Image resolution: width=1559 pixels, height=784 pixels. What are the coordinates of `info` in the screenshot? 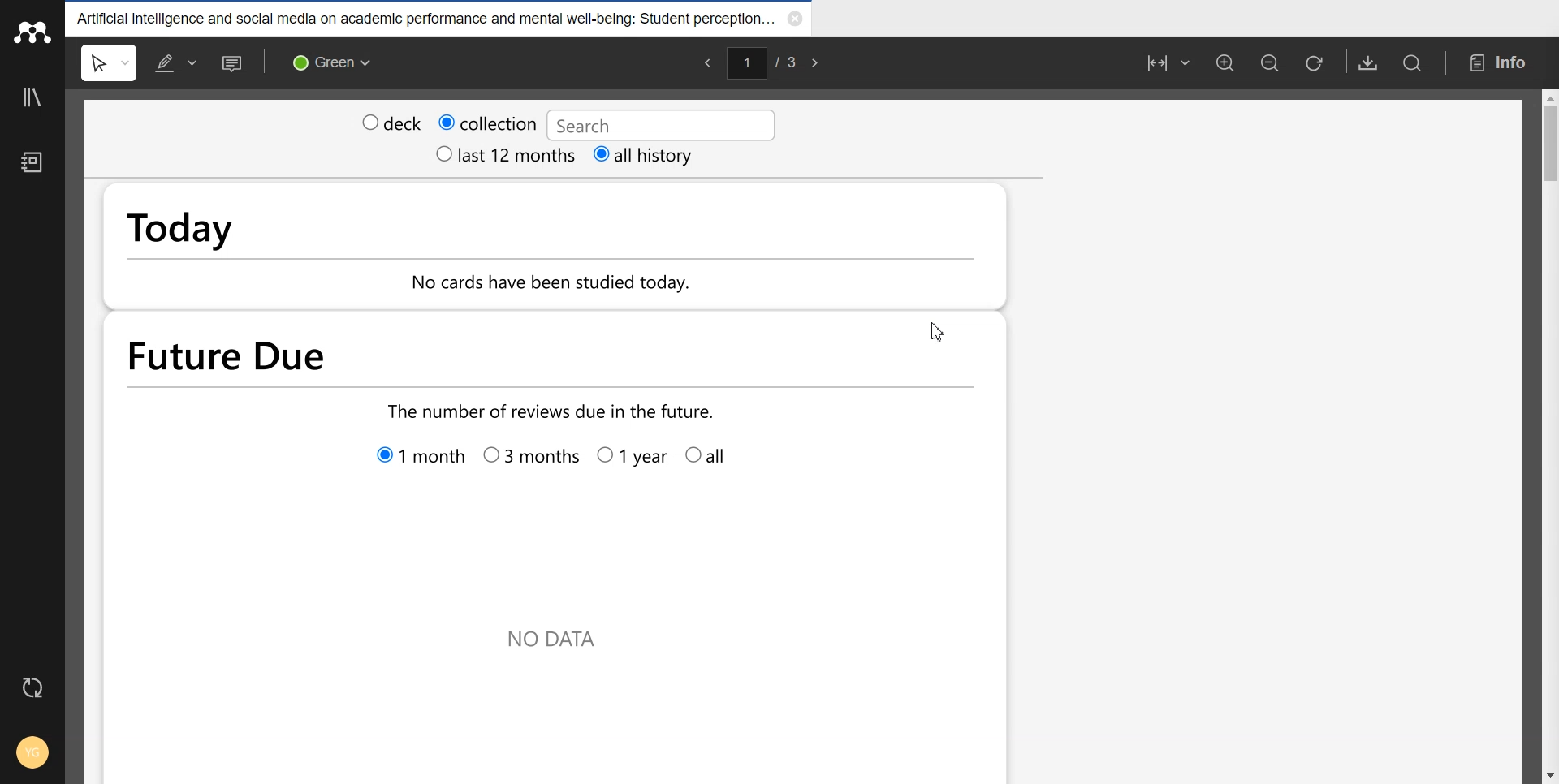 It's located at (1503, 62).